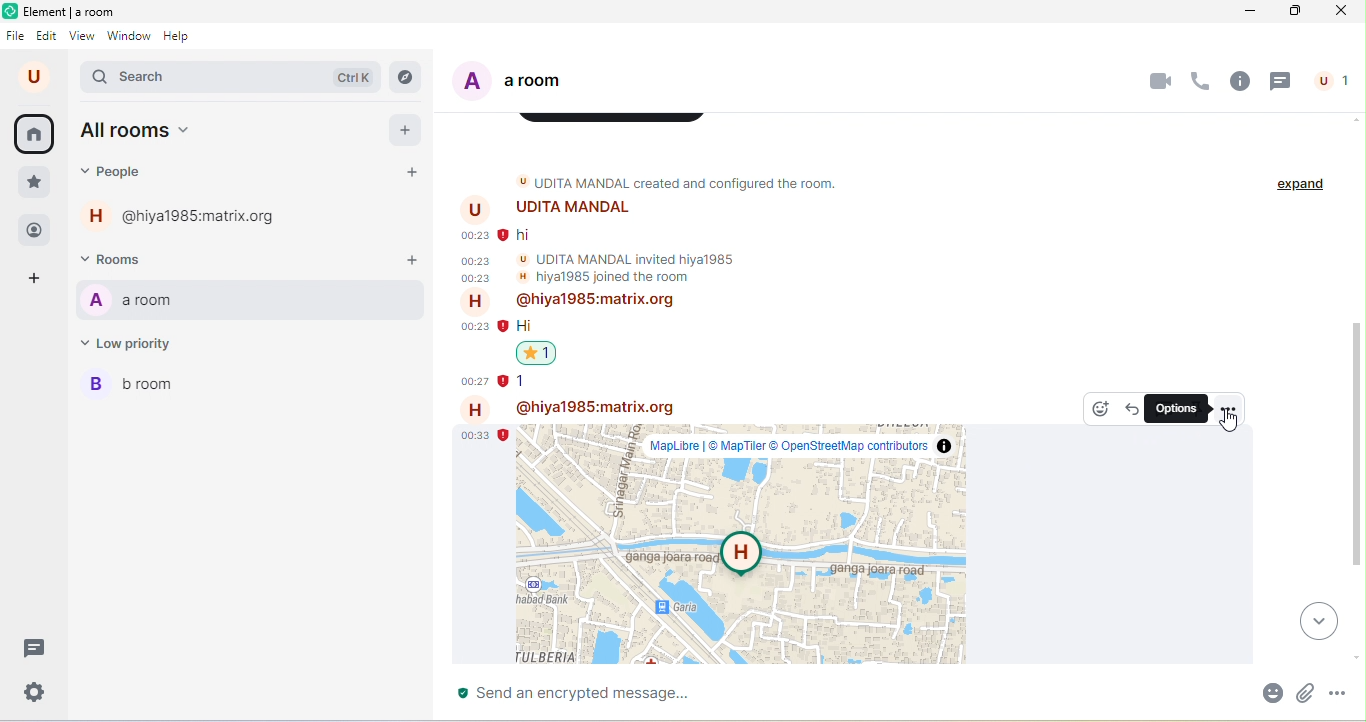 The image size is (1366, 722). Describe the element at coordinates (120, 172) in the screenshot. I see `people` at that location.